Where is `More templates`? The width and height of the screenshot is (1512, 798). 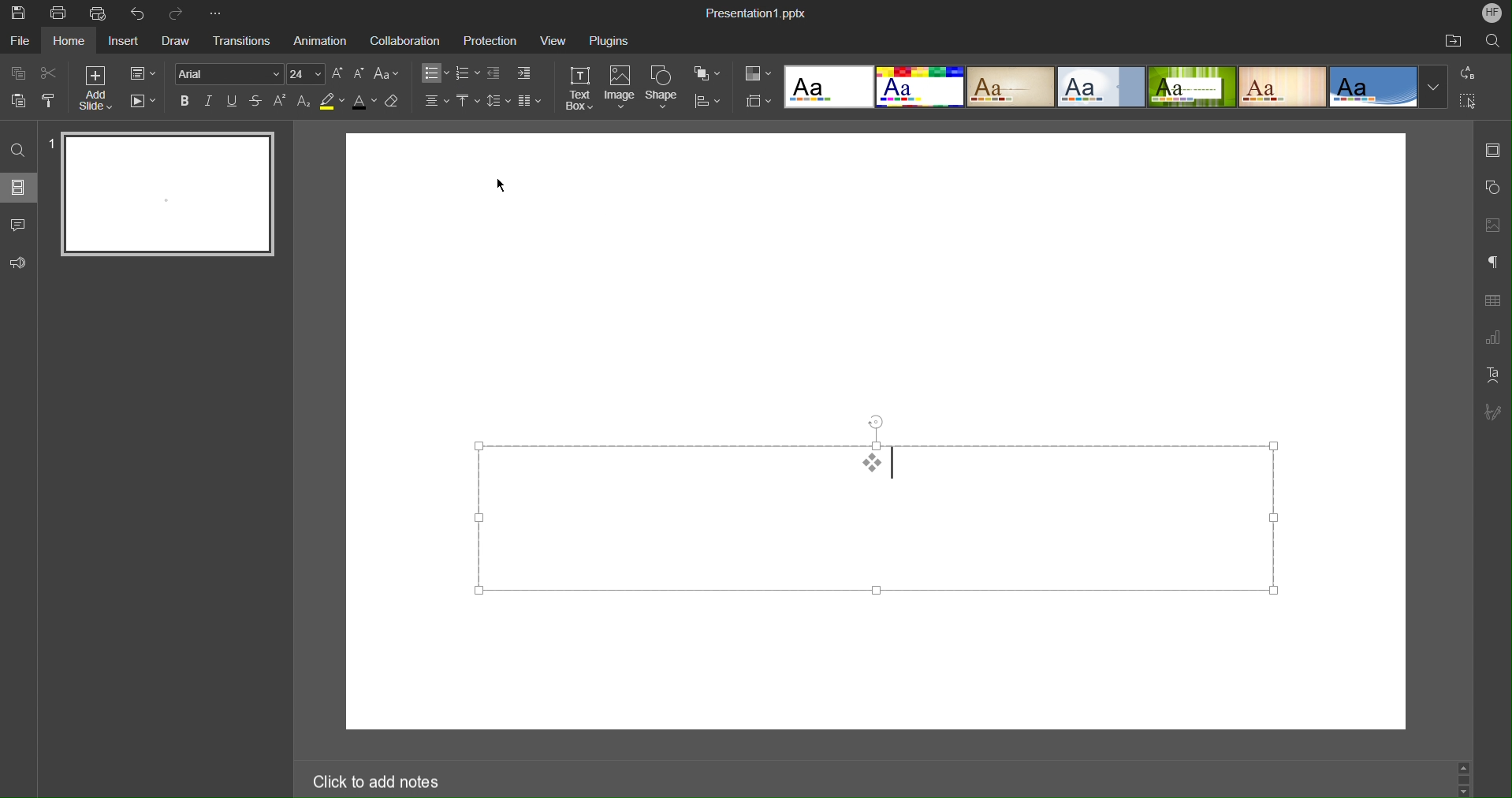
More templates is located at coordinates (1433, 88).